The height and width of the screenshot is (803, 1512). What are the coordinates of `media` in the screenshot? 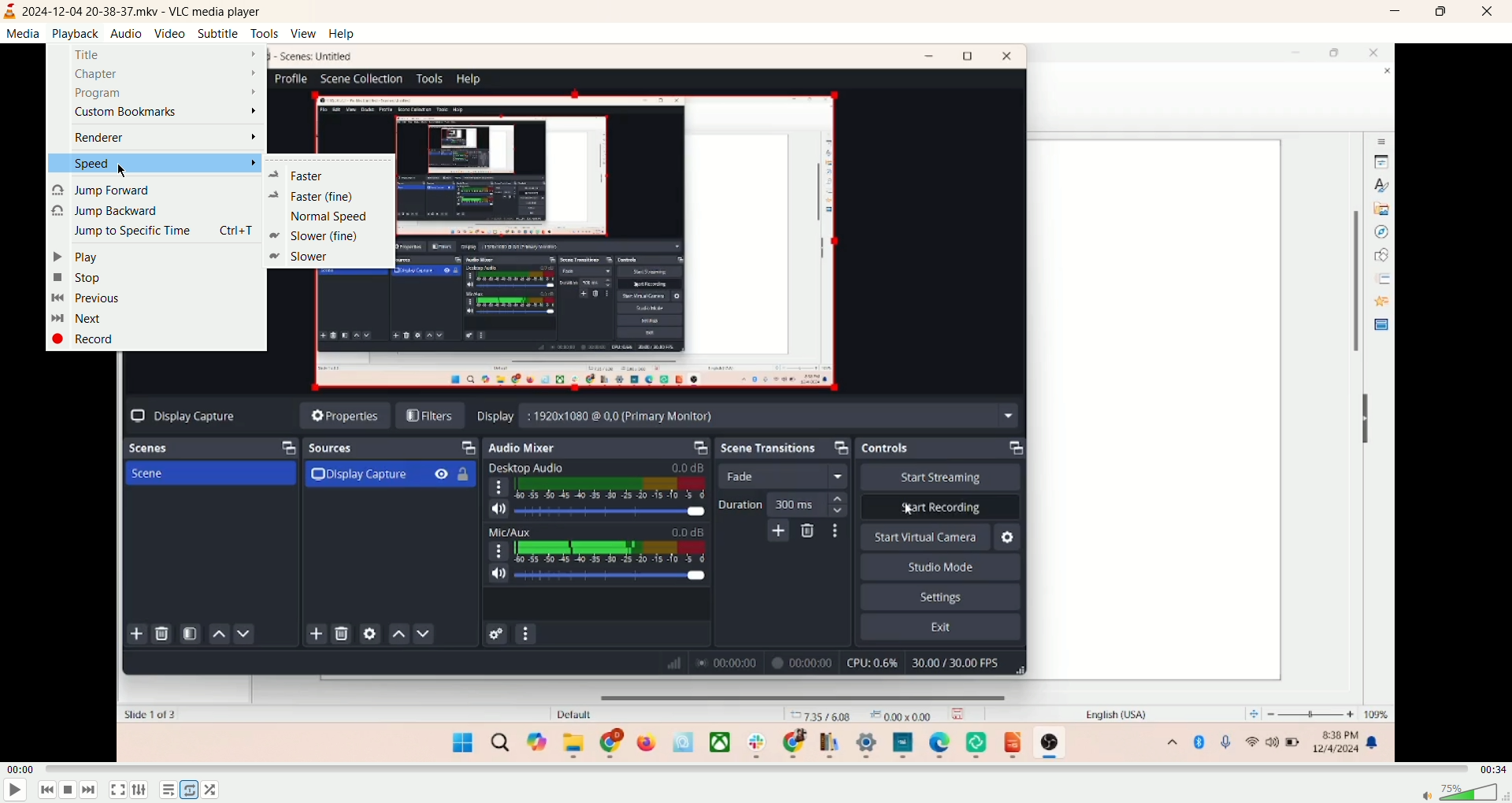 It's located at (23, 35).